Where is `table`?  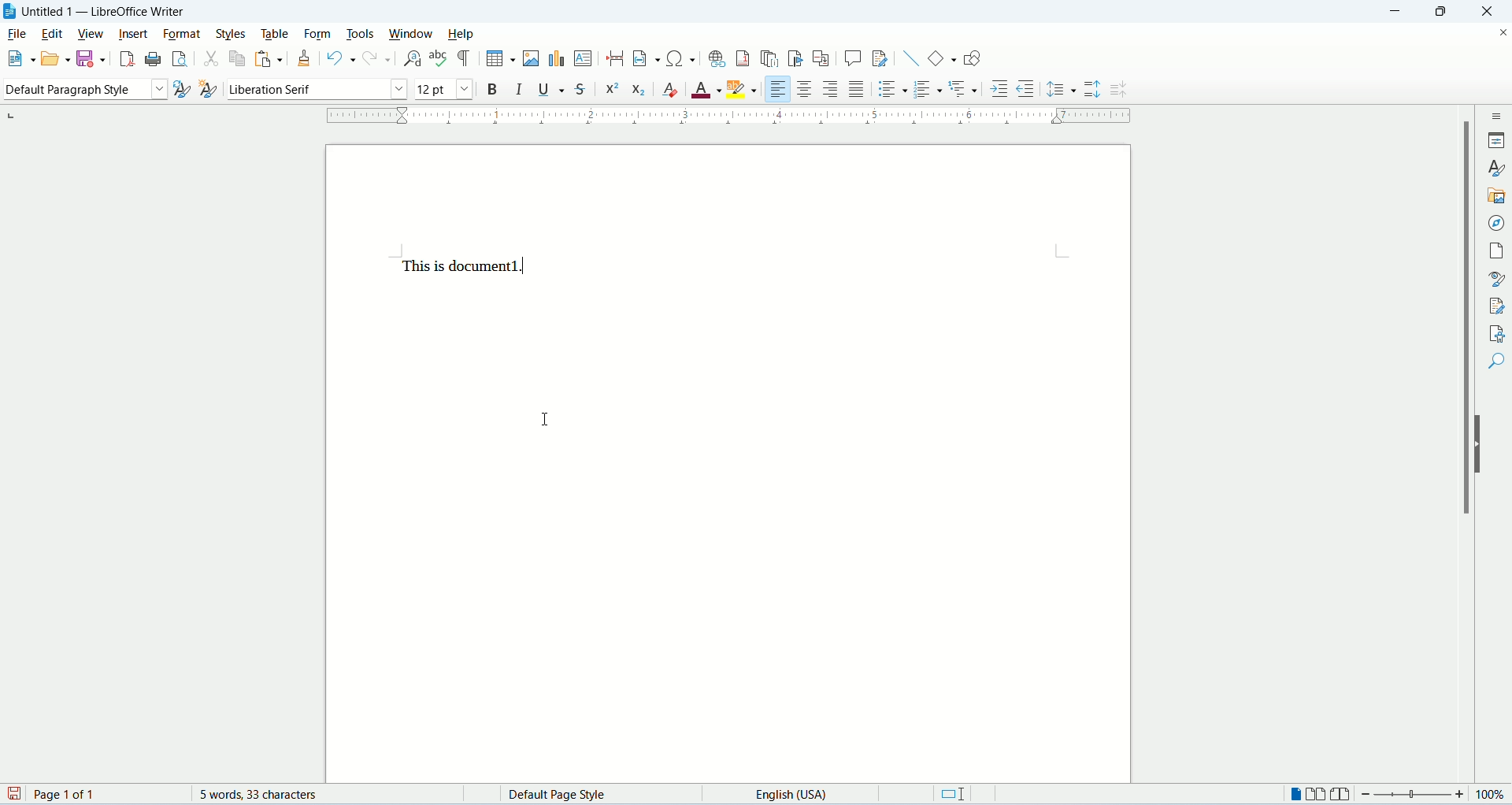
table is located at coordinates (278, 34).